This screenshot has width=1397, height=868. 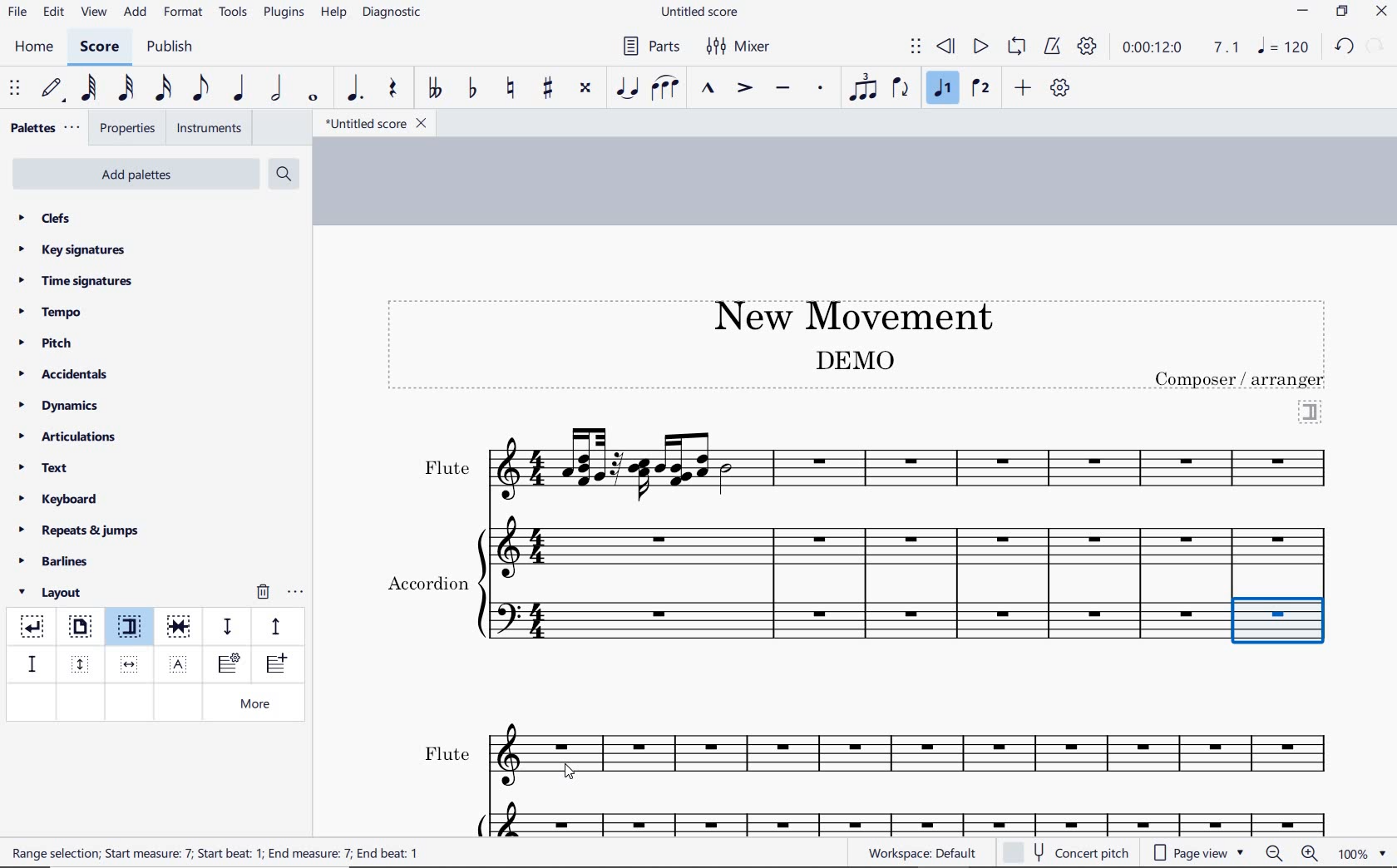 I want to click on play, so click(x=979, y=48).